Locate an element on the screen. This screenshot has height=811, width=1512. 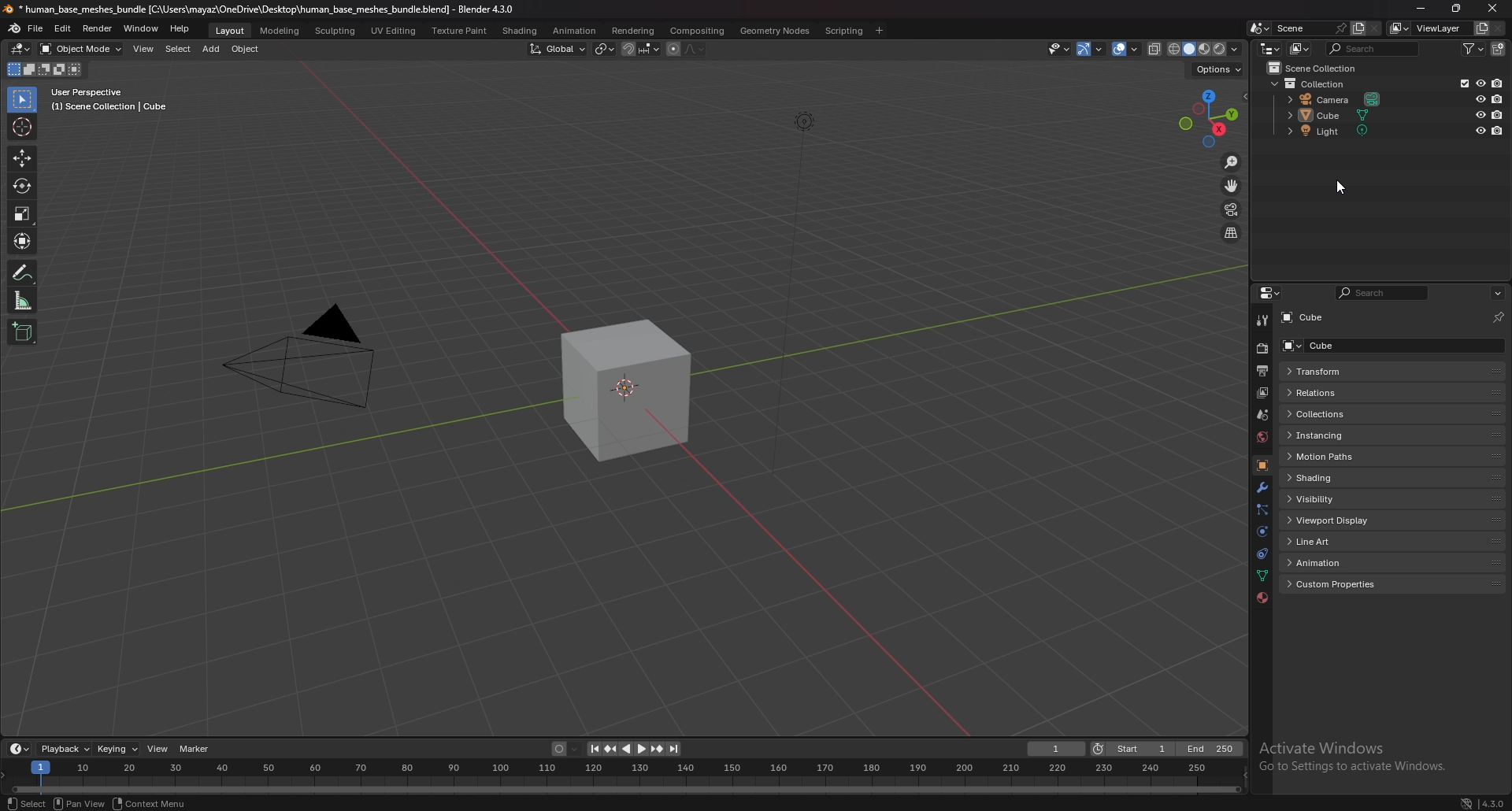
camera is located at coordinates (298, 354).